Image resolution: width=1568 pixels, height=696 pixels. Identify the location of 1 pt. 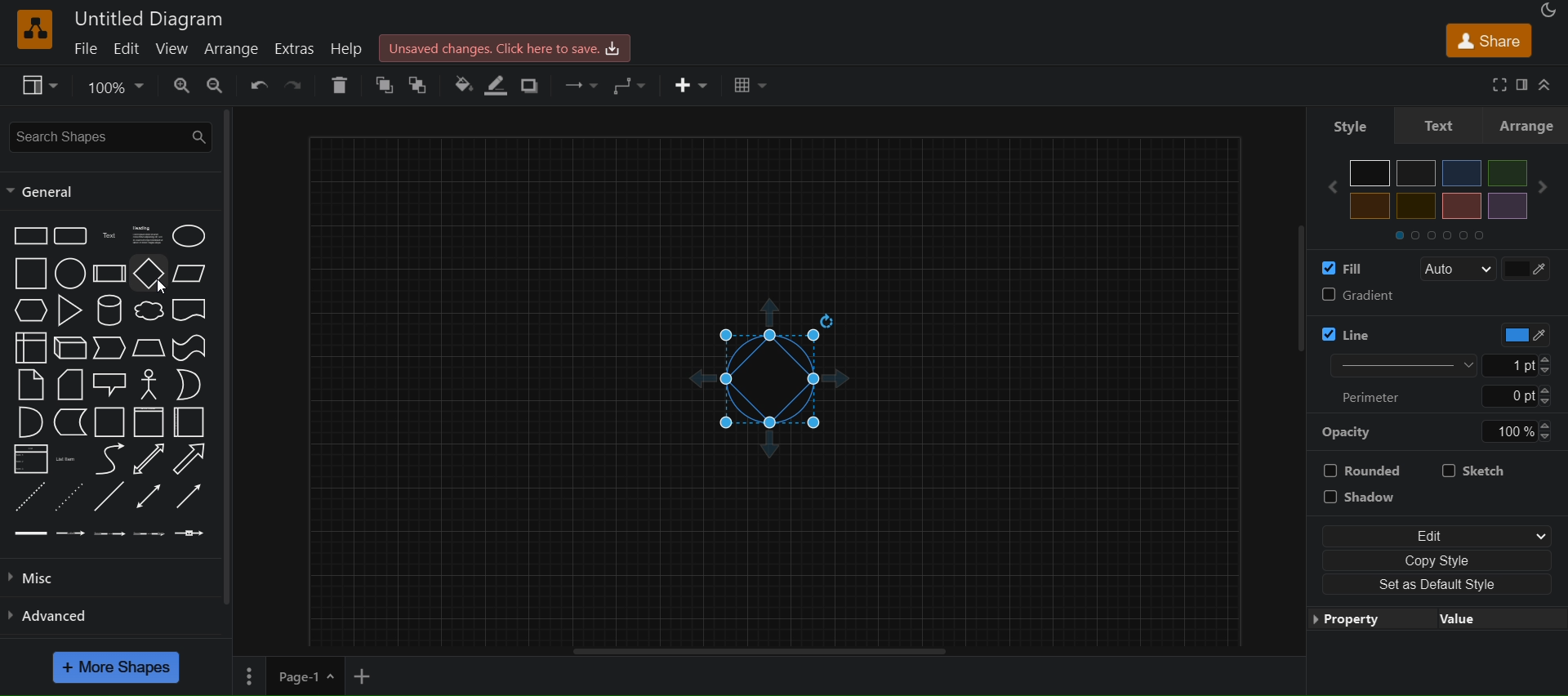
(1528, 365).